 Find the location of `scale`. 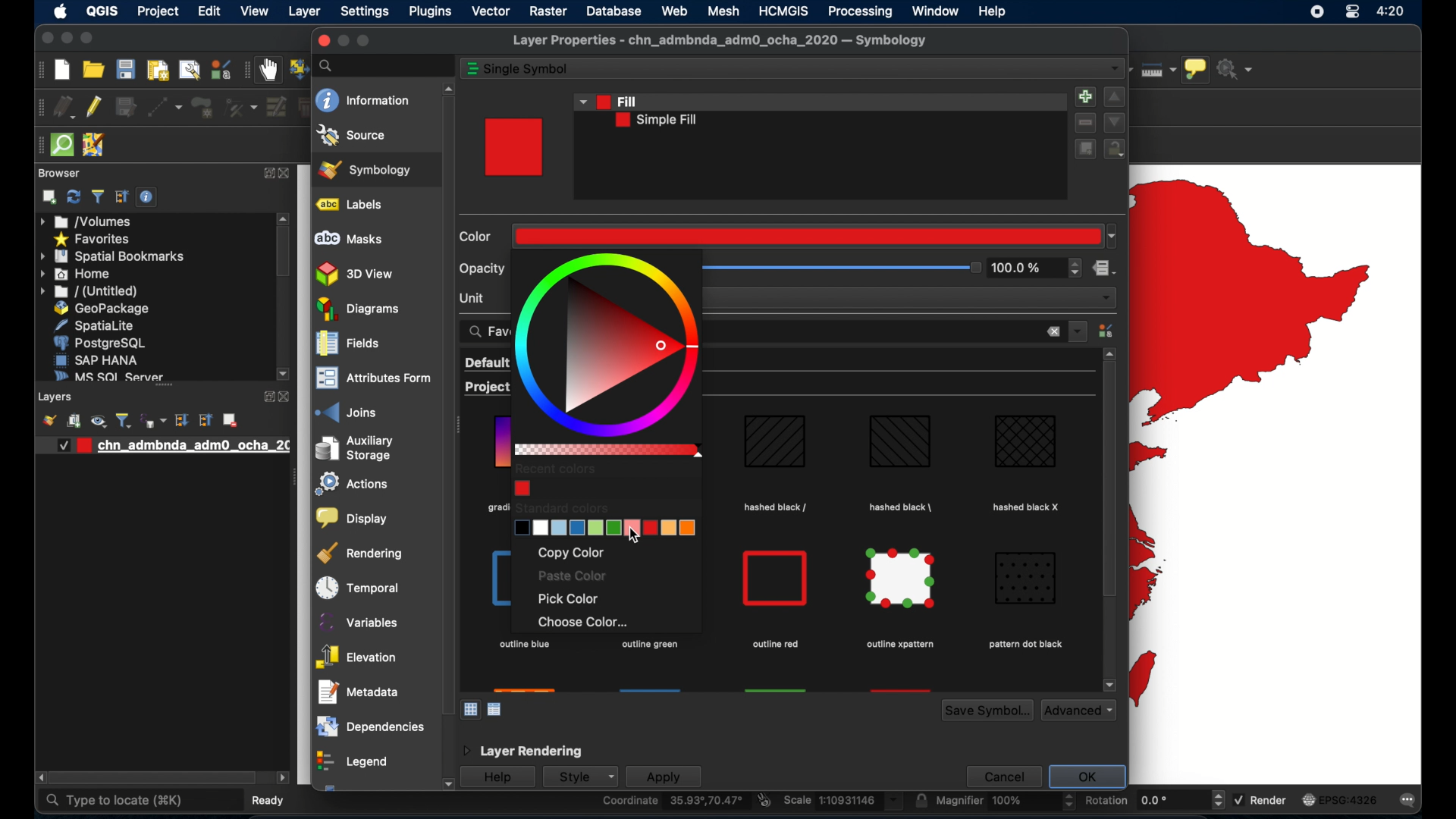

scale is located at coordinates (842, 802).